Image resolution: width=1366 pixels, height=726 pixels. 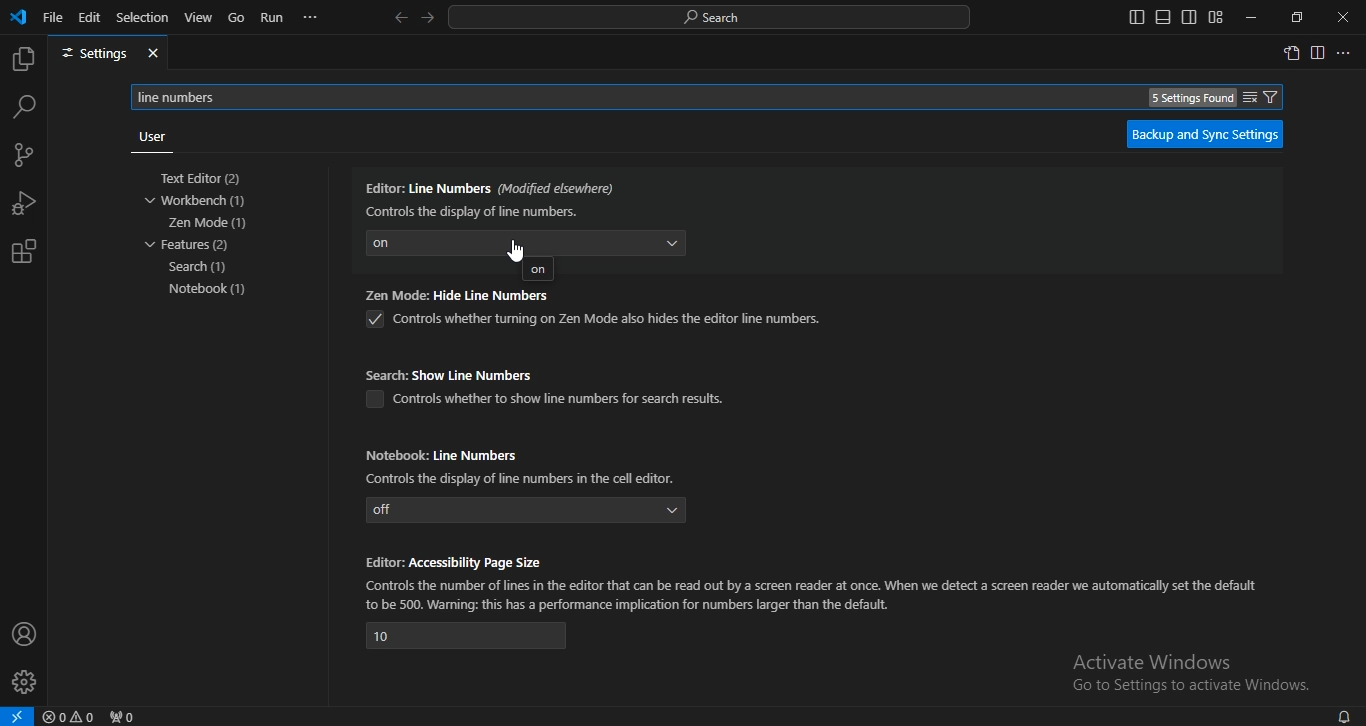 I want to click on split editor, so click(x=1319, y=54).